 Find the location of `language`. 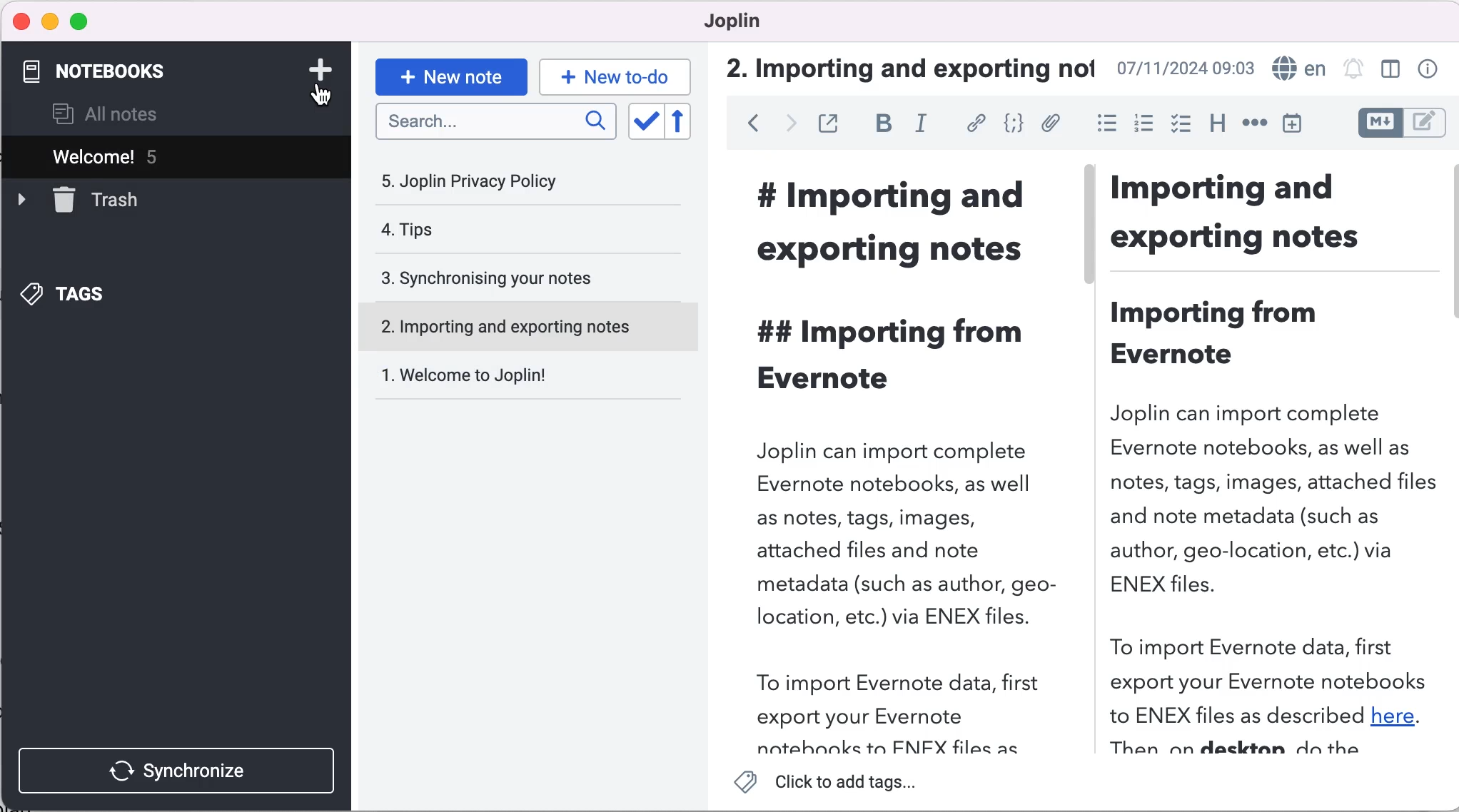

language is located at coordinates (1296, 69).